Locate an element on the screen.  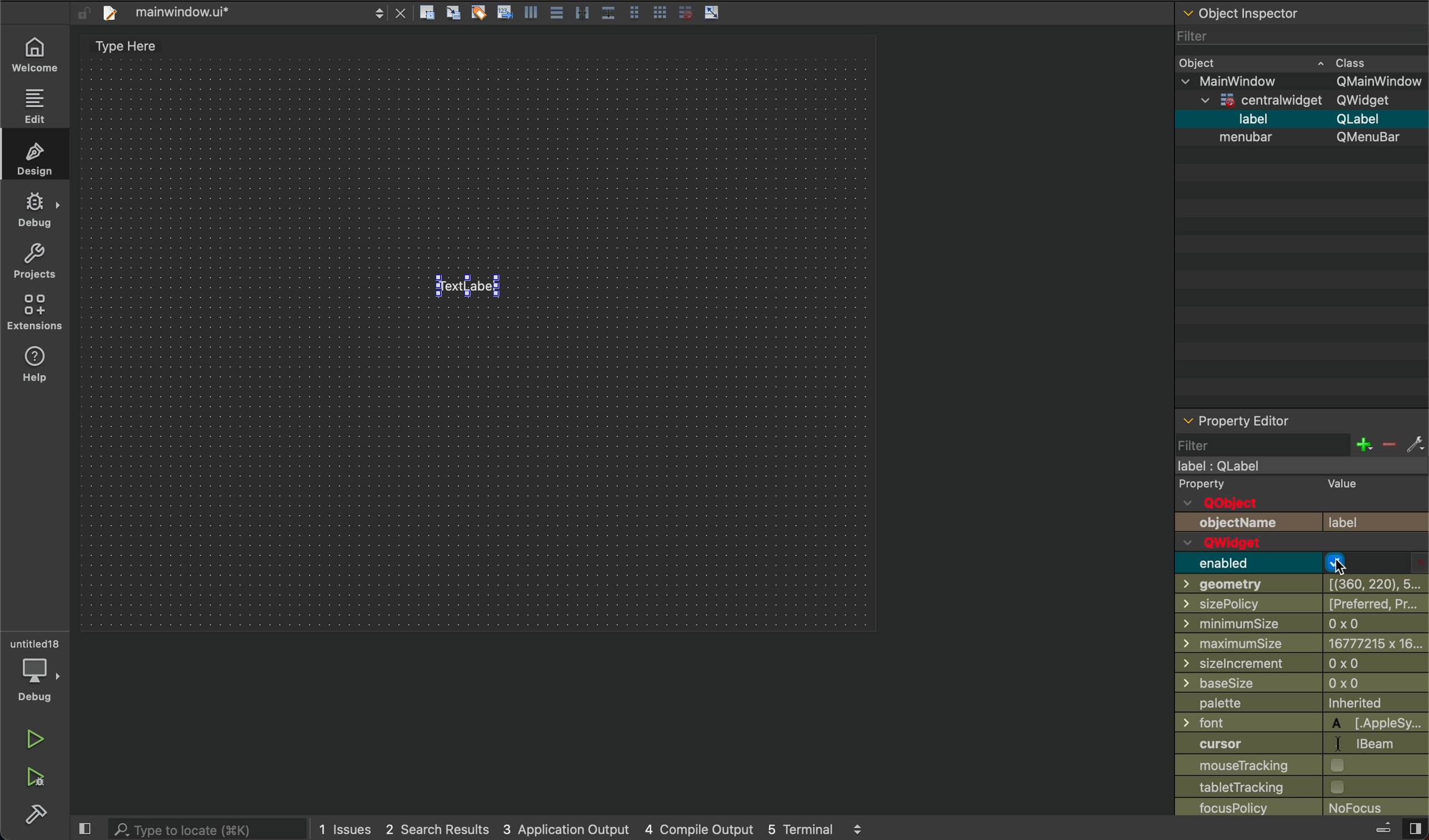
0x0 is located at coordinates (1365, 684).